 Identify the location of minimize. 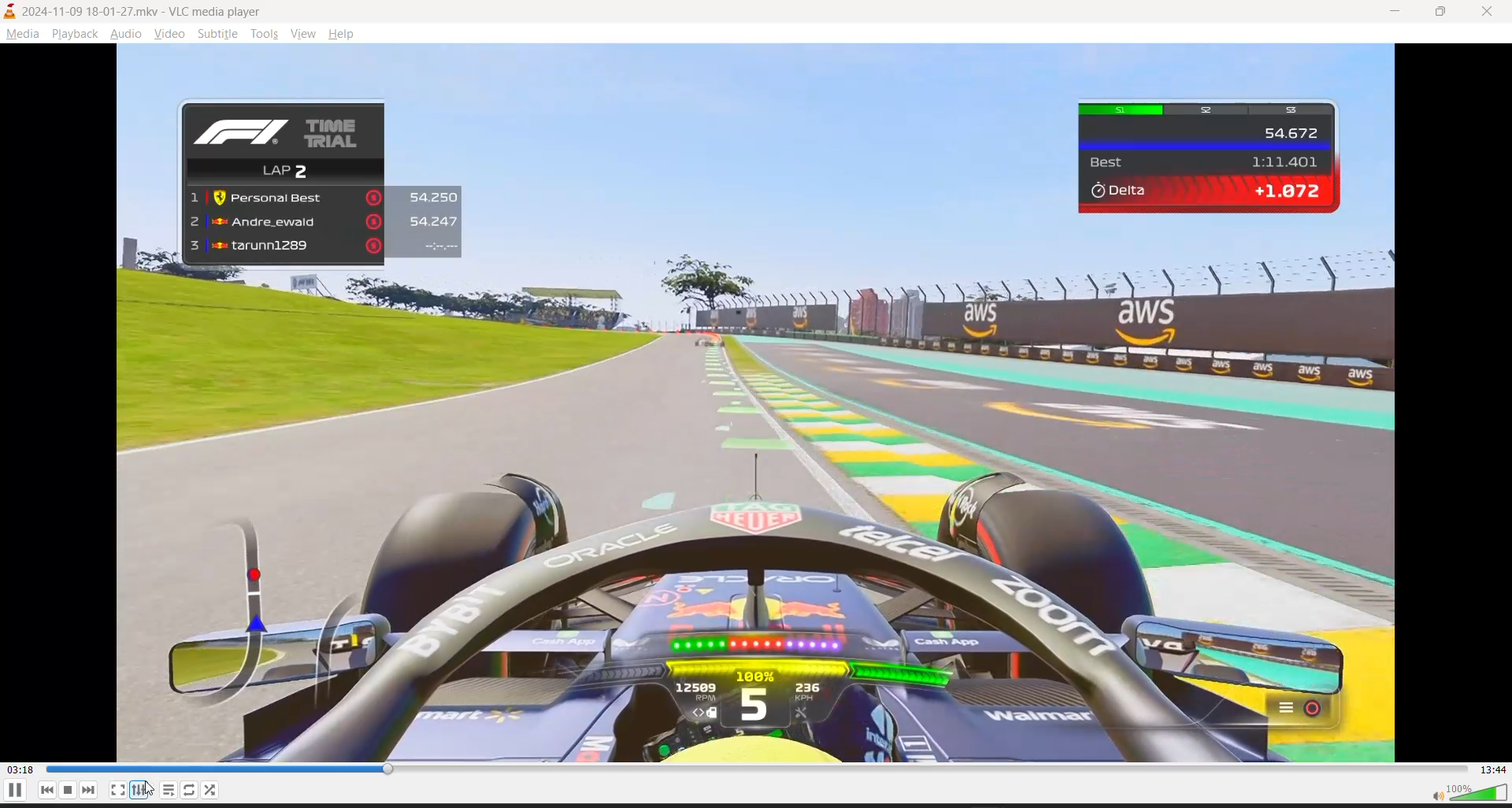
(1386, 14).